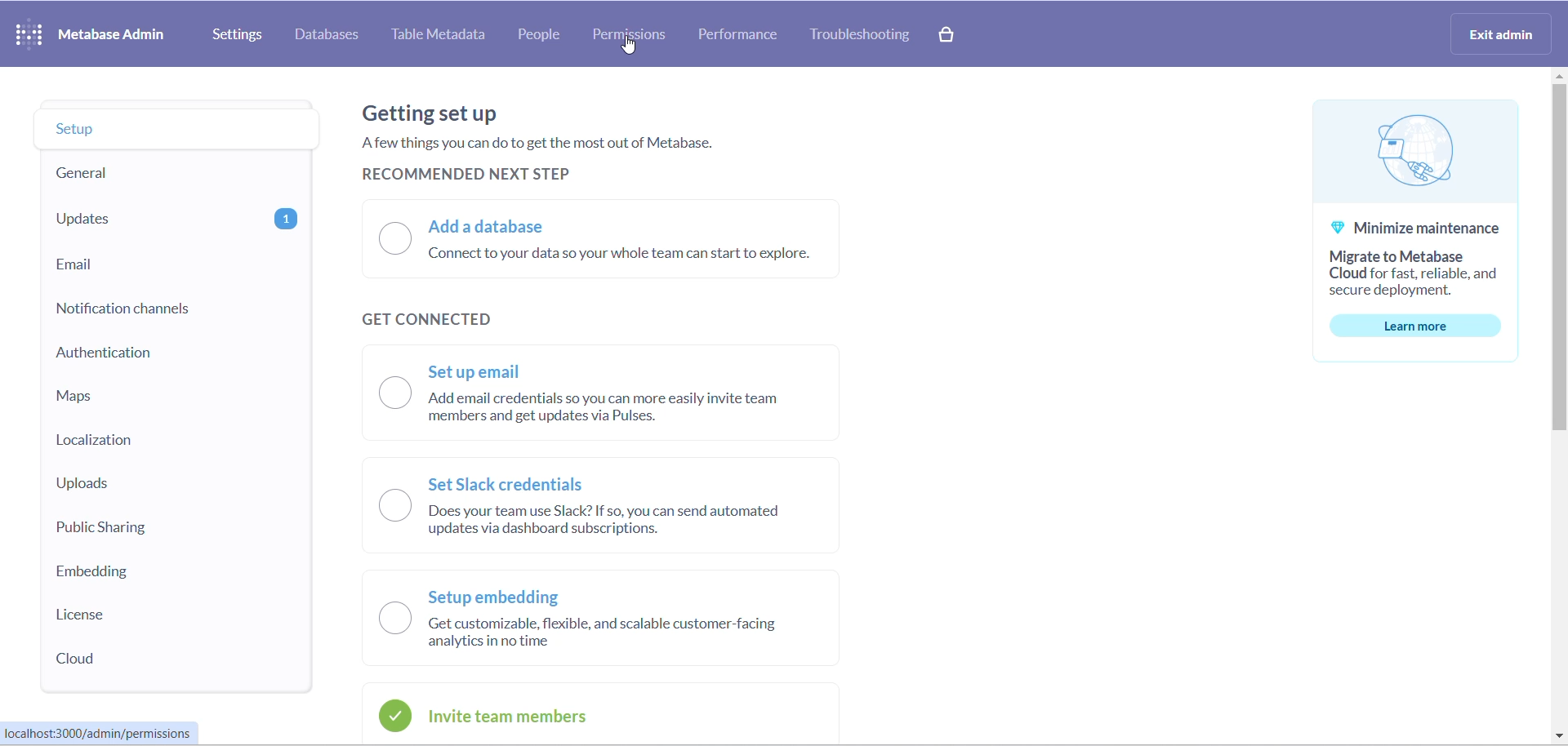 This screenshot has width=1568, height=746. I want to click on license, so click(146, 616).